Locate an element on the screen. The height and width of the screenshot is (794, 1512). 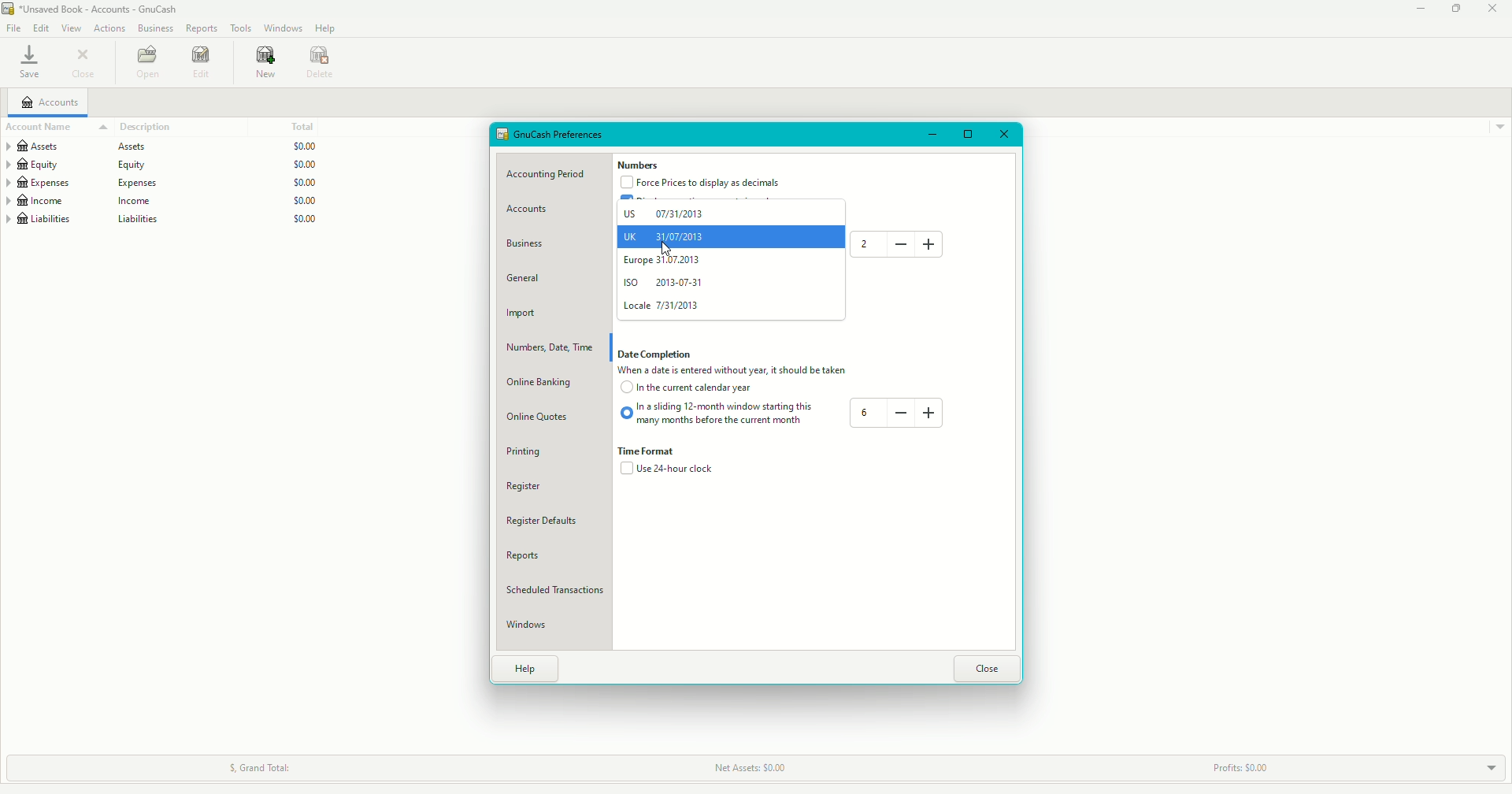
Minimize is located at coordinates (934, 134).